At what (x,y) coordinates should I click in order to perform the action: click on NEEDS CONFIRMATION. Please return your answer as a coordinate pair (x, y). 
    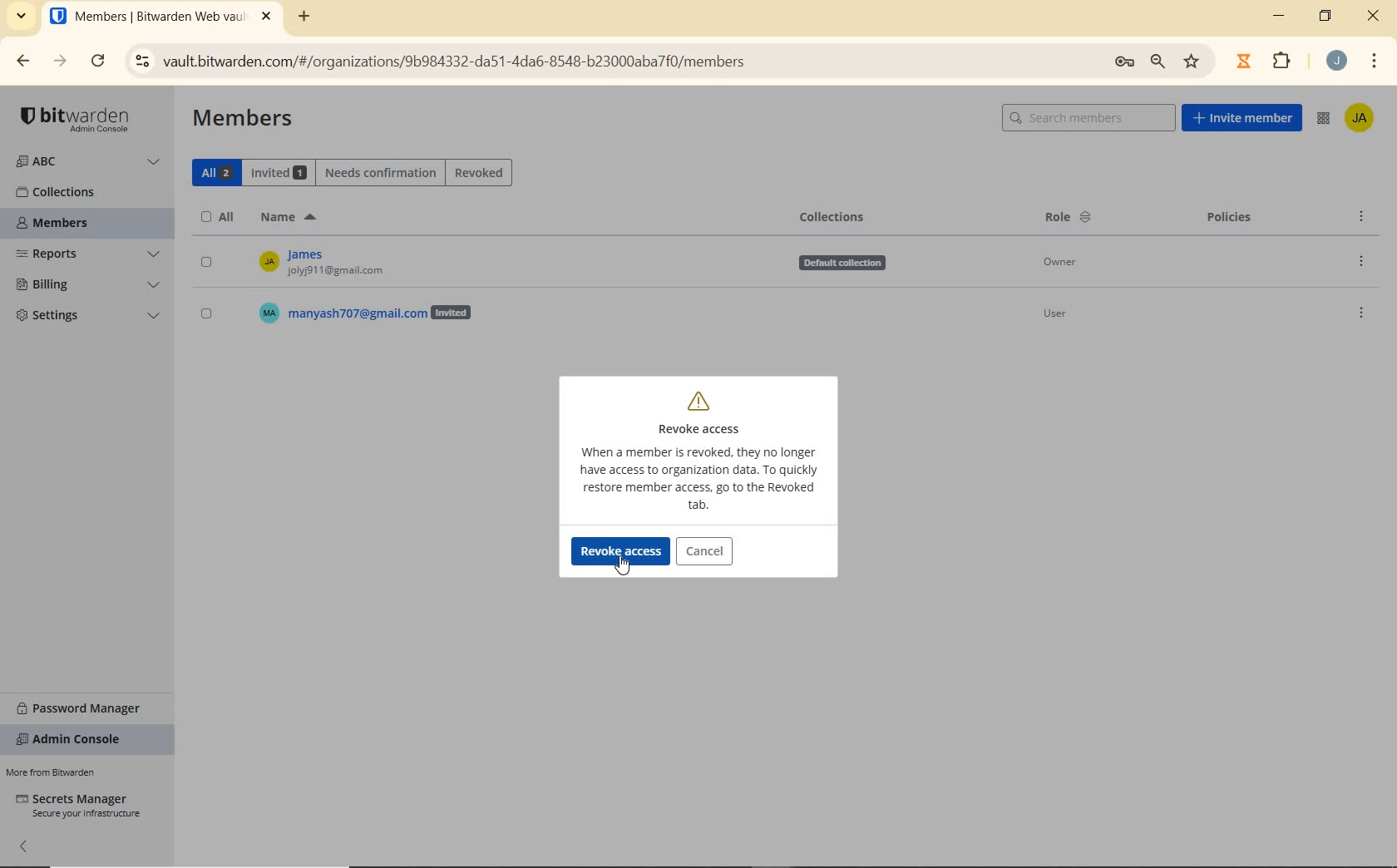
    Looking at the image, I should click on (381, 171).